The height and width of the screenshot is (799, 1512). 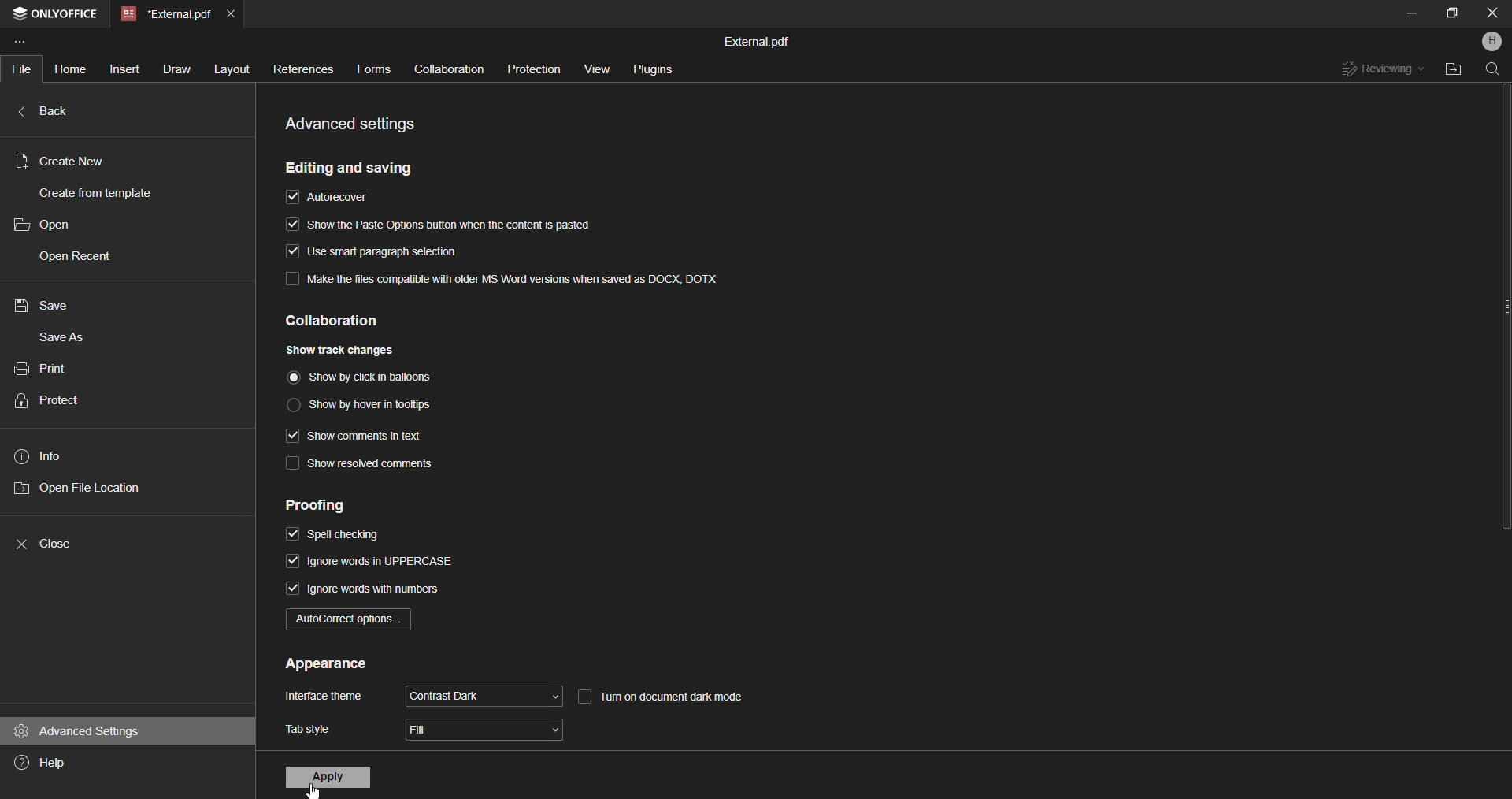 I want to click on advance settings, so click(x=80, y=730).